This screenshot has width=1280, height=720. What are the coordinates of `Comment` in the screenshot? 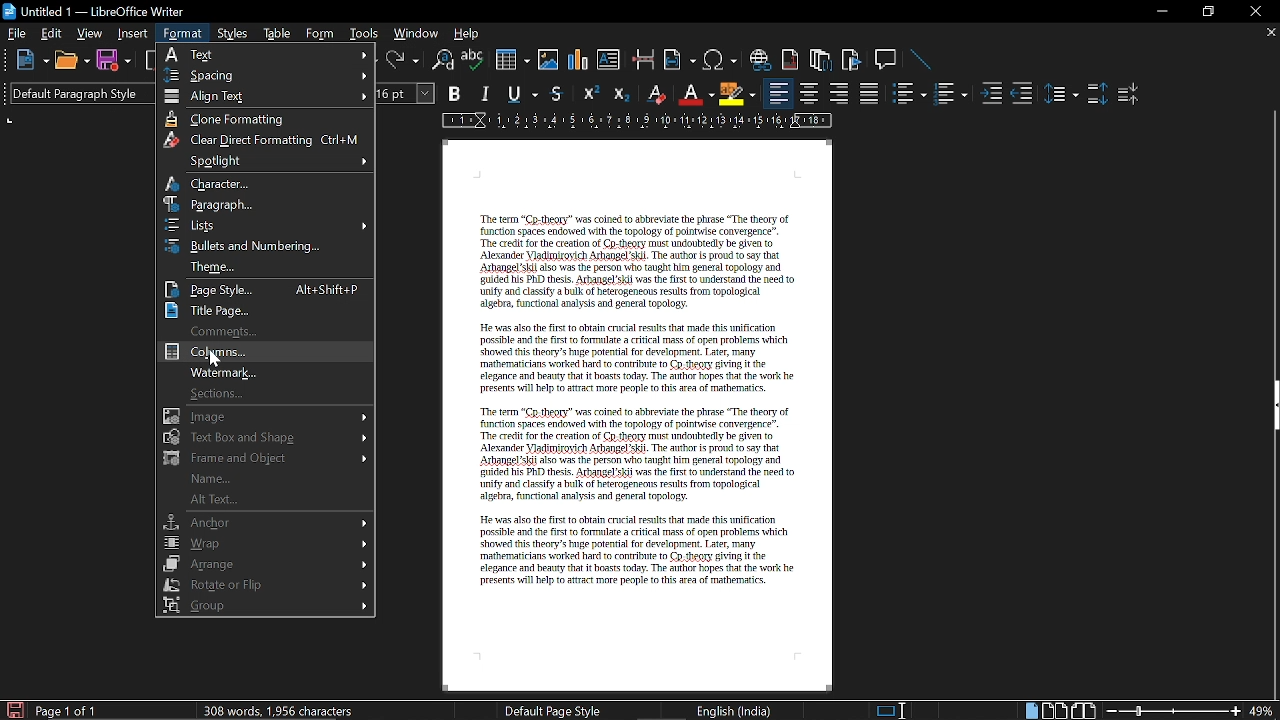 It's located at (266, 329).